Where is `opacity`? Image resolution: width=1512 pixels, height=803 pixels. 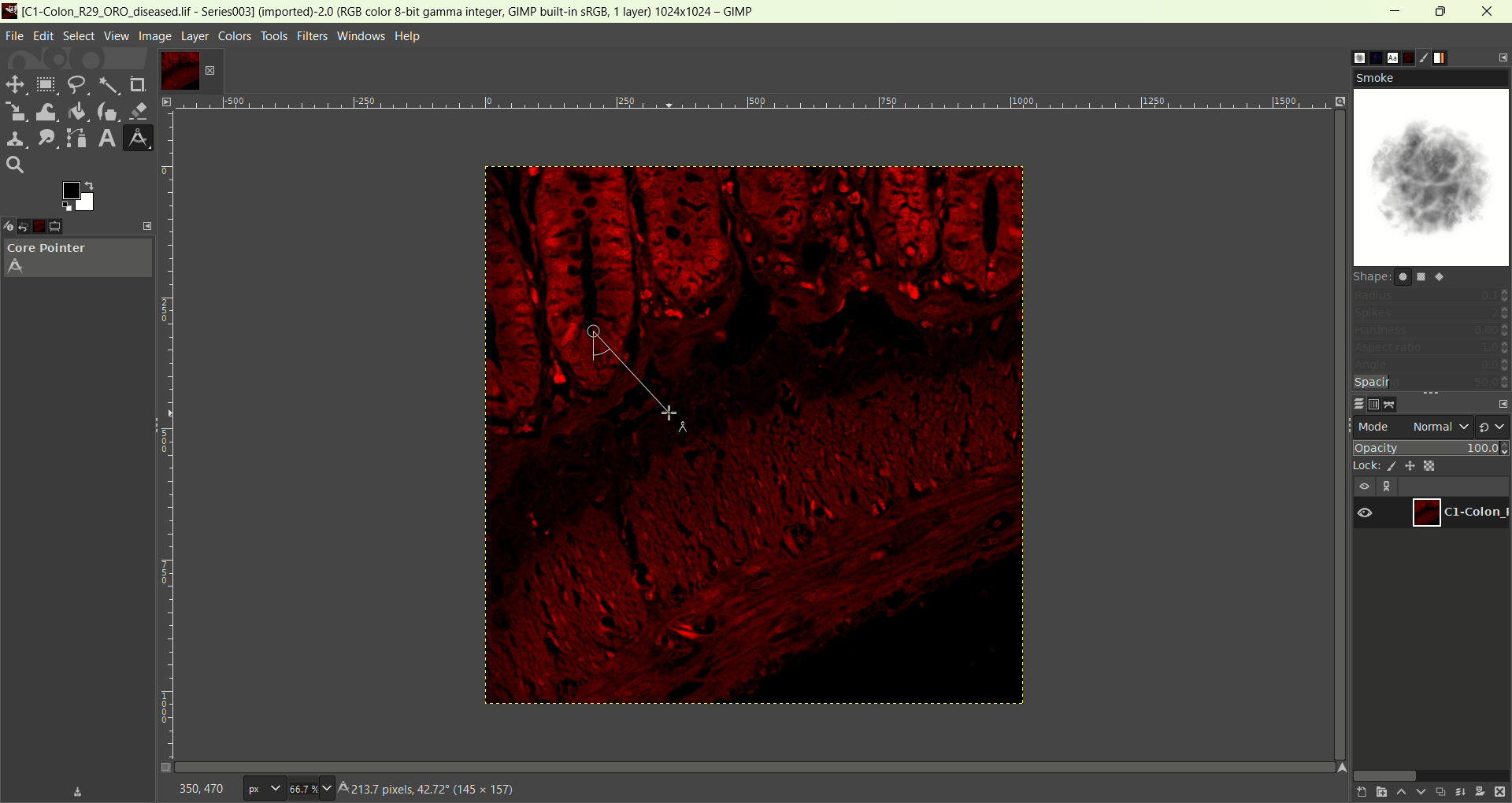
opacity is located at coordinates (1432, 446).